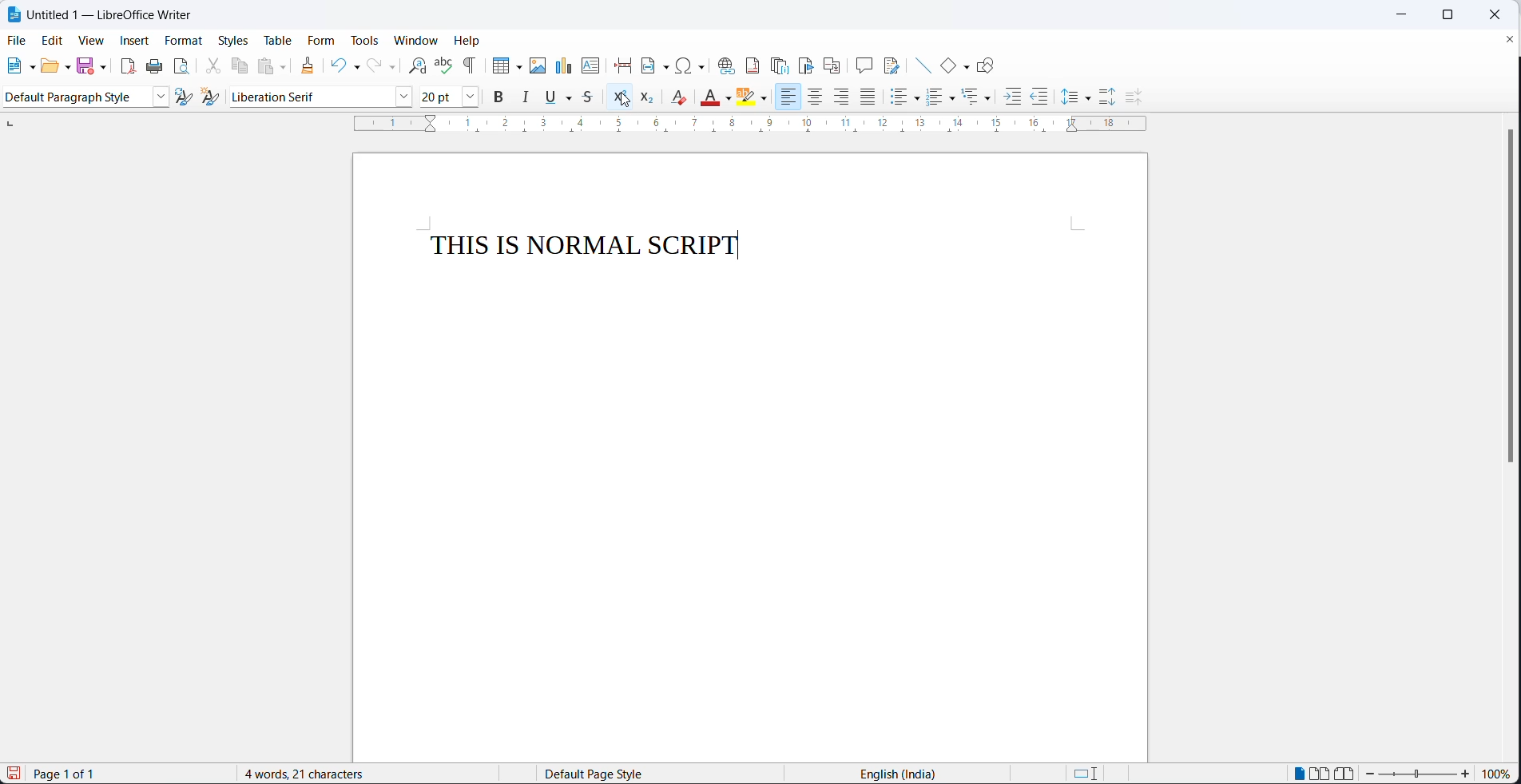 Image resolution: width=1521 pixels, height=784 pixels. What do you see at coordinates (121, 18) in the screenshot?
I see `| Untitled 1 — LibreOffice Writer` at bounding box center [121, 18].